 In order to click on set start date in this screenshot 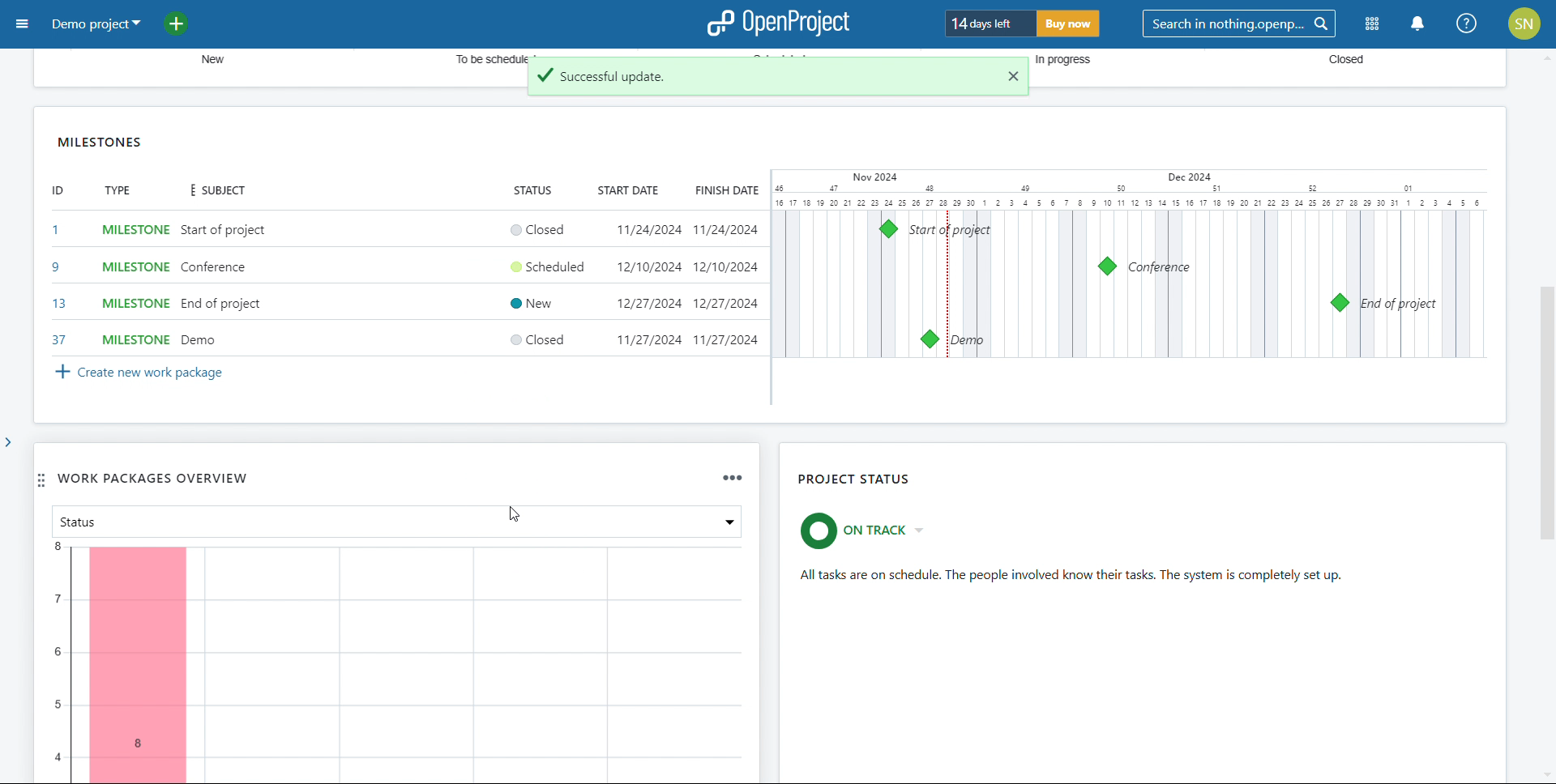, I will do `click(648, 285)`.